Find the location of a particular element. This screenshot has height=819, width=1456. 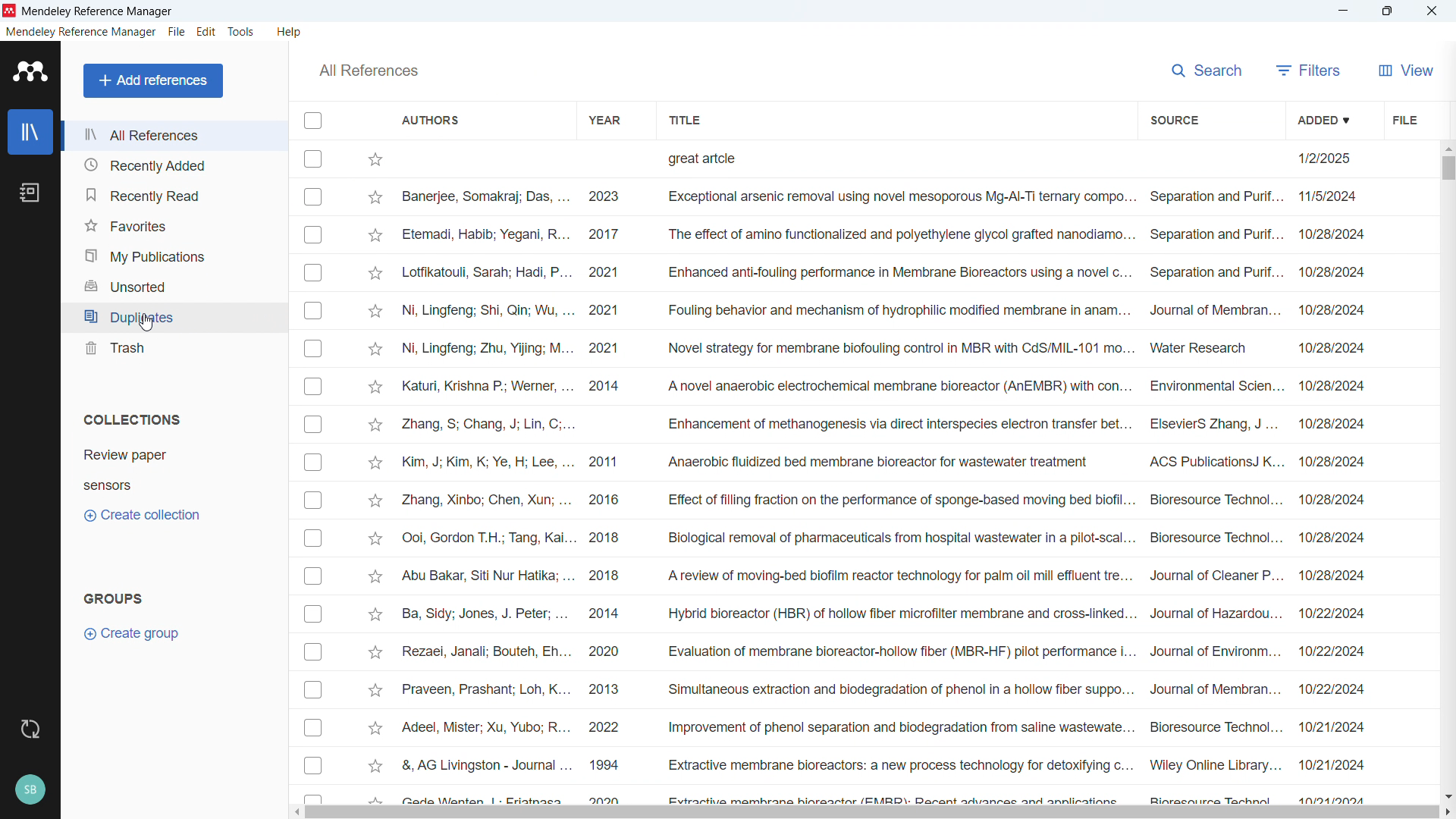

Title  is located at coordinates (99, 12).